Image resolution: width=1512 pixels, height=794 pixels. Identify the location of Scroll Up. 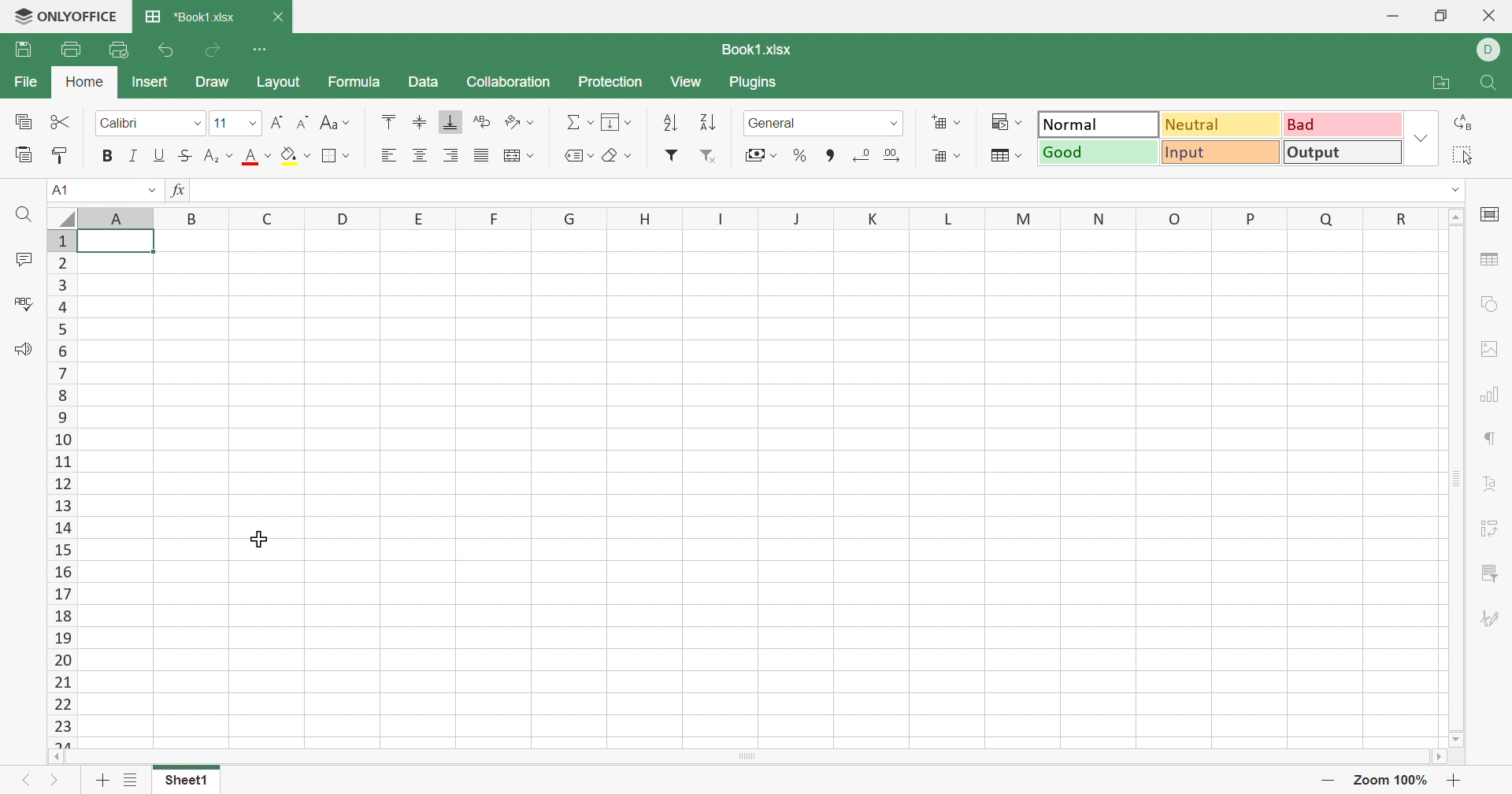
(1456, 219).